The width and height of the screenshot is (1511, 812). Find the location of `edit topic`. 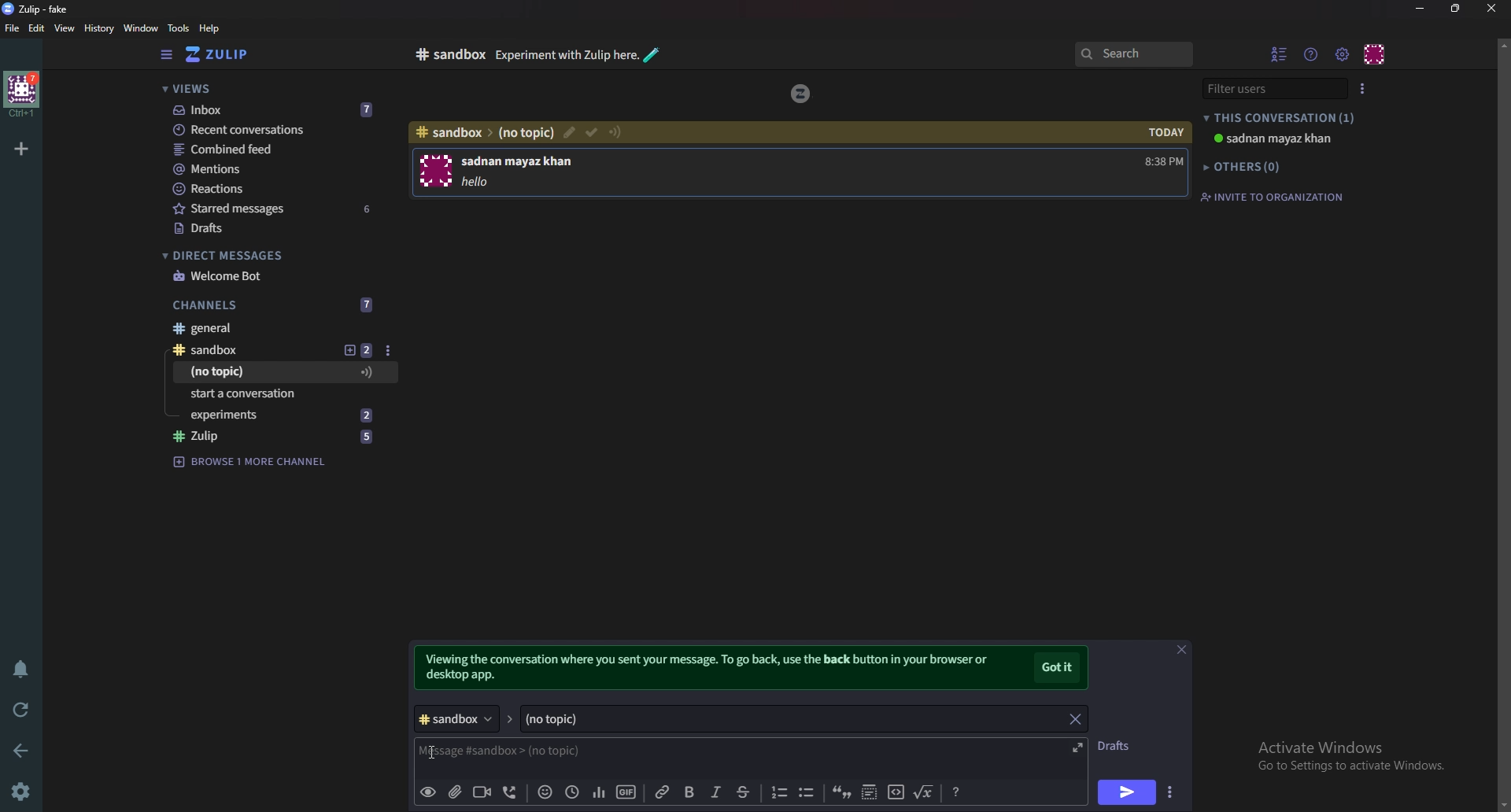

edit topic is located at coordinates (569, 131).